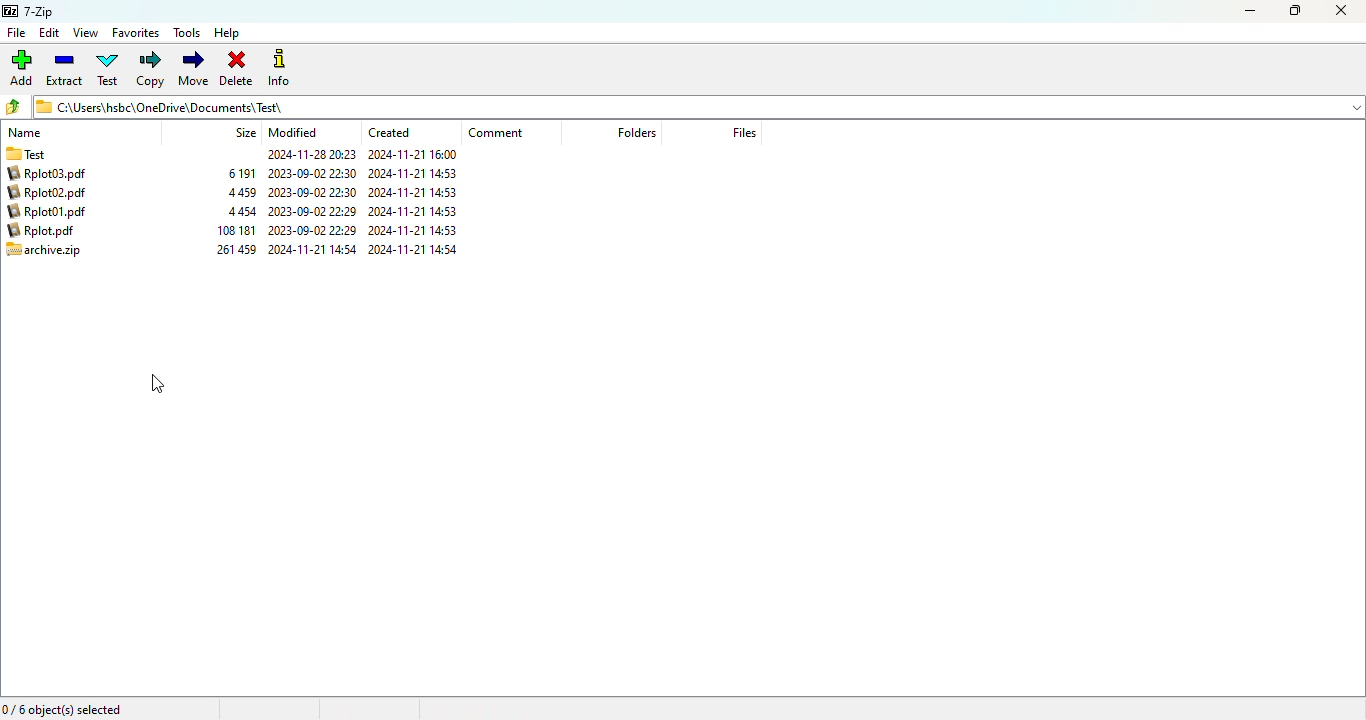 The height and width of the screenshot is (720, 1366). I want to click on 2024-11-21 14:54, so click(314, 173).